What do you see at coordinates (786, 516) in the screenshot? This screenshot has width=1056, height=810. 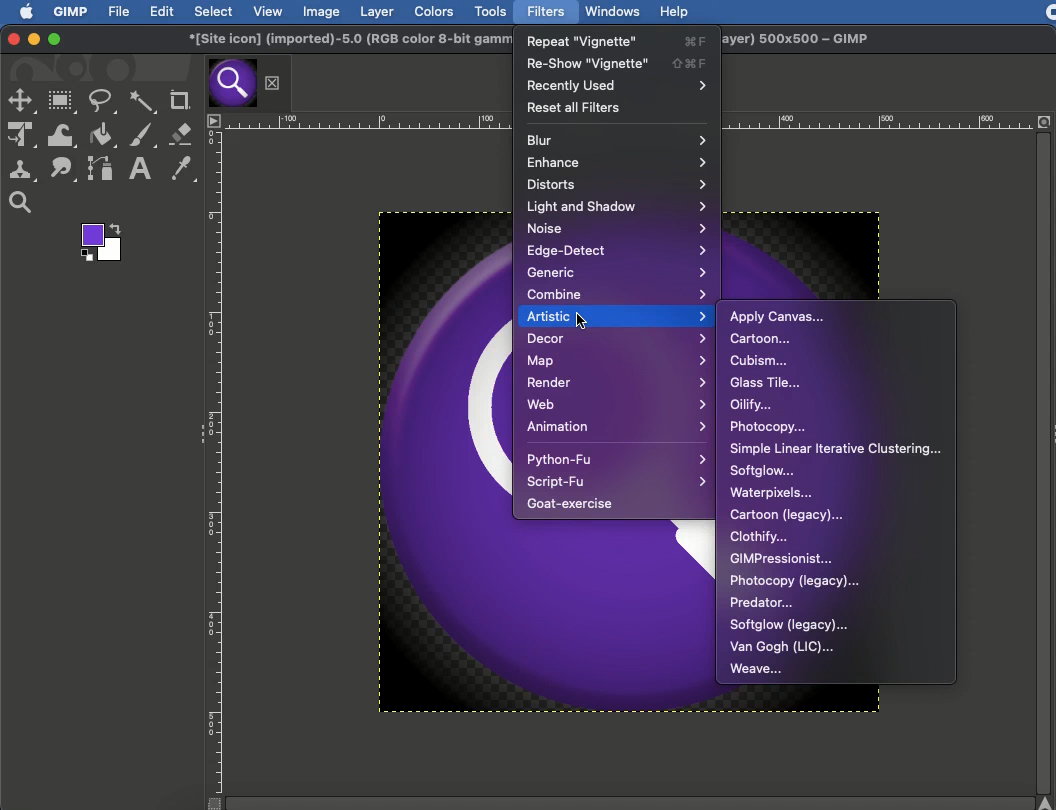 I see `Cartoon legacy` at bounding box center [786, 516].